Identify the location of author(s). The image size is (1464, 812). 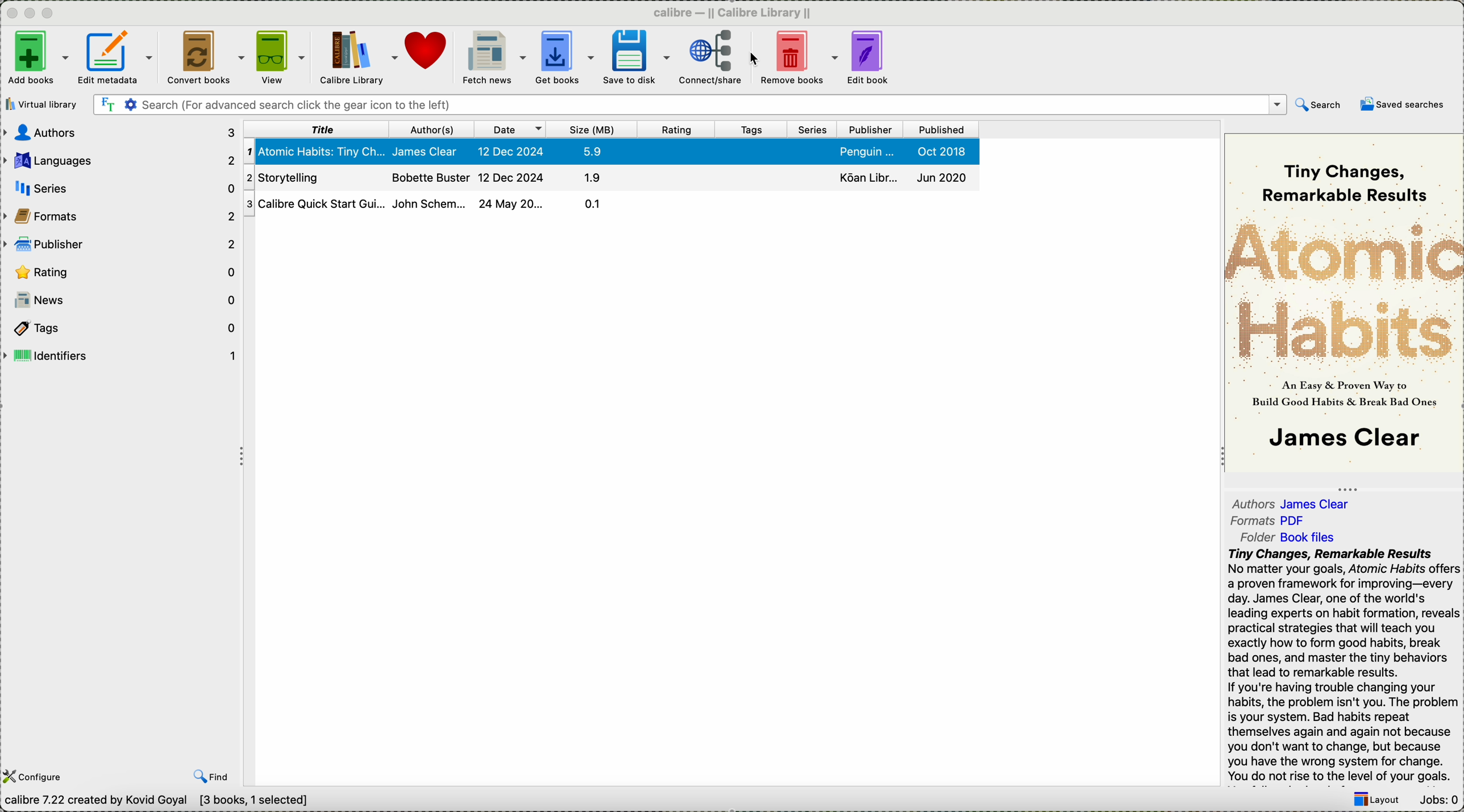
(430, 130).